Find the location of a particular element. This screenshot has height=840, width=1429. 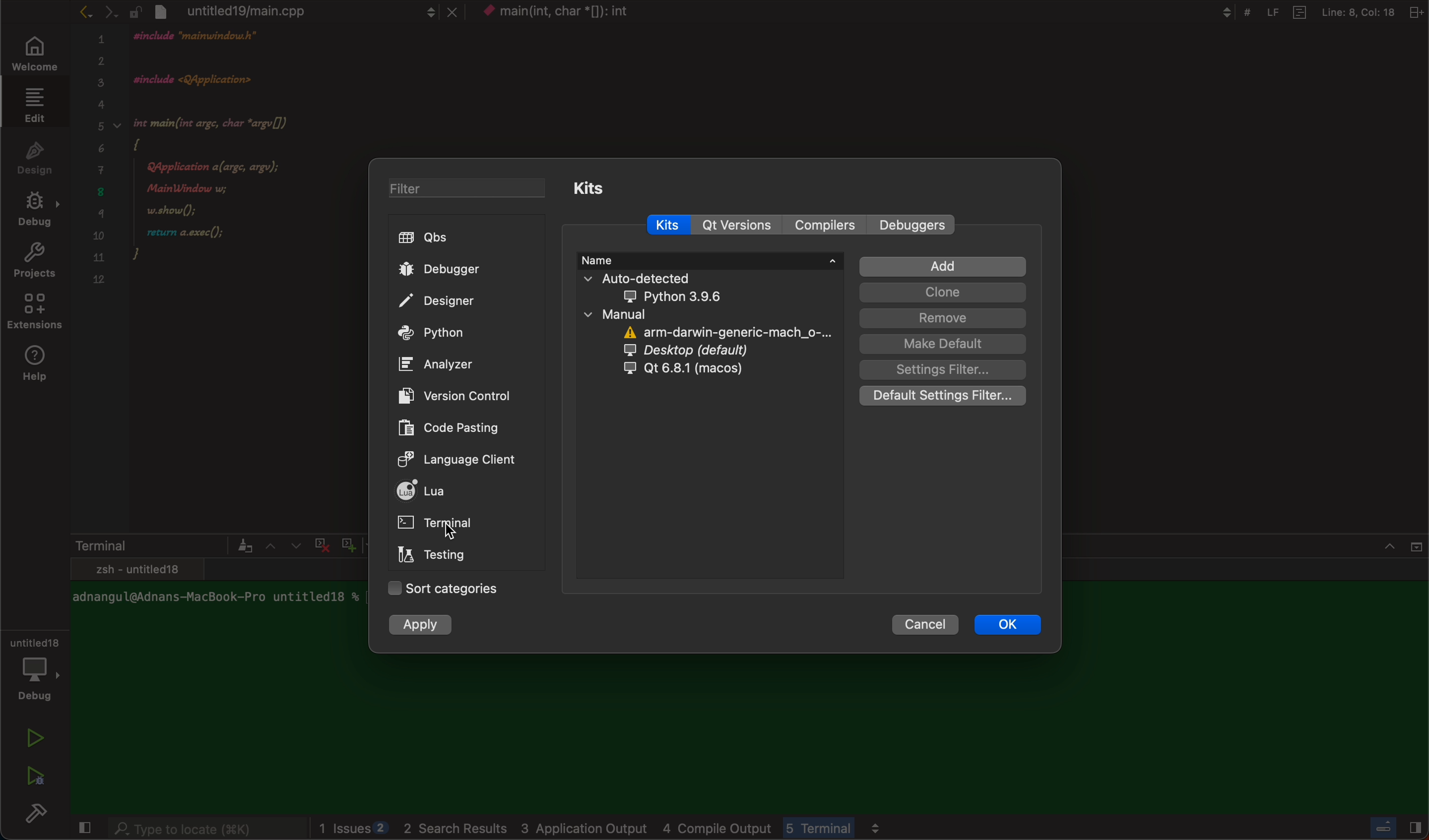

version controls  is located at coordinates (450, 395).